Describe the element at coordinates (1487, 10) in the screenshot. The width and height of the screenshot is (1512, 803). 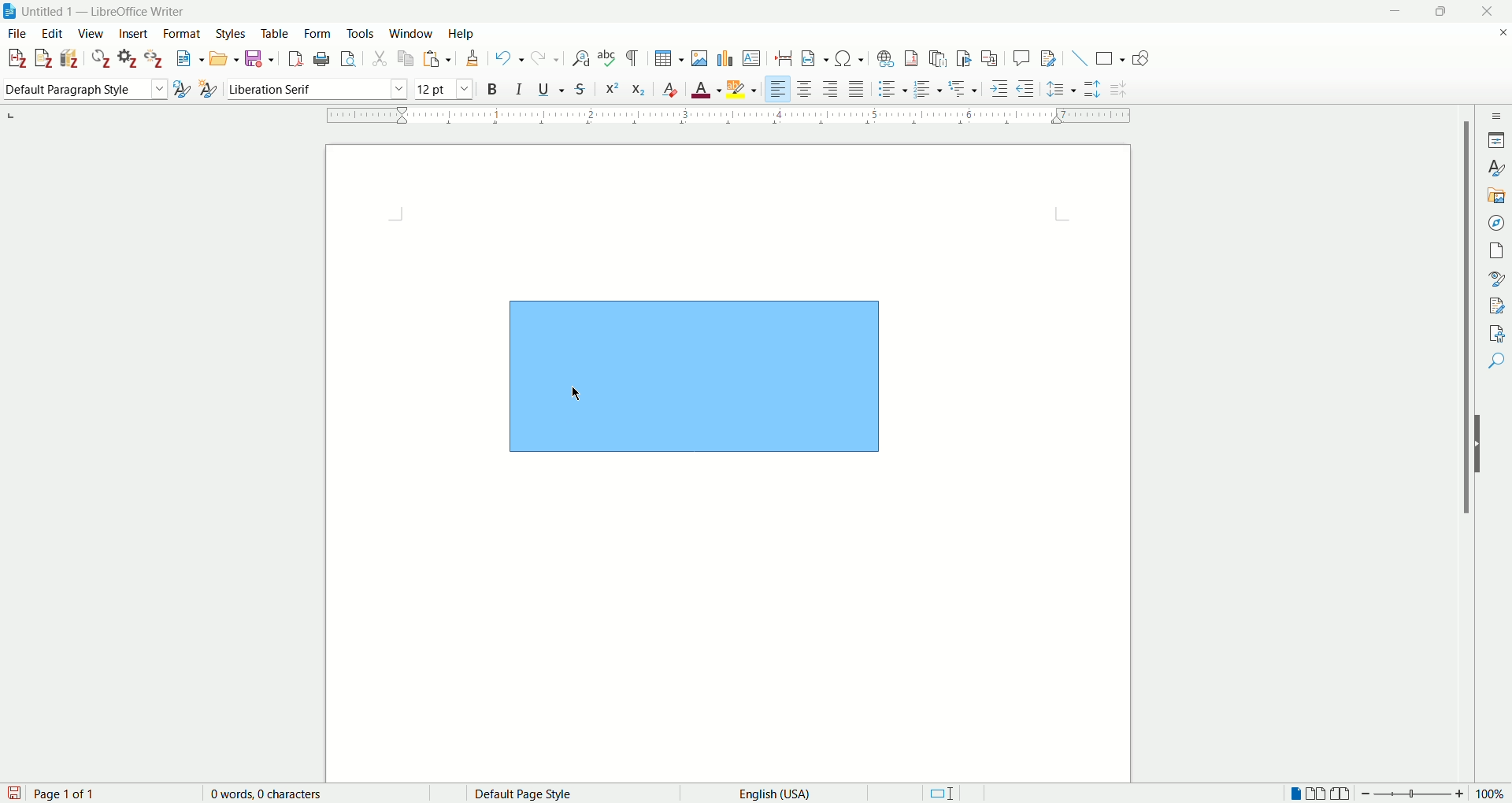
I see `close` at that location.